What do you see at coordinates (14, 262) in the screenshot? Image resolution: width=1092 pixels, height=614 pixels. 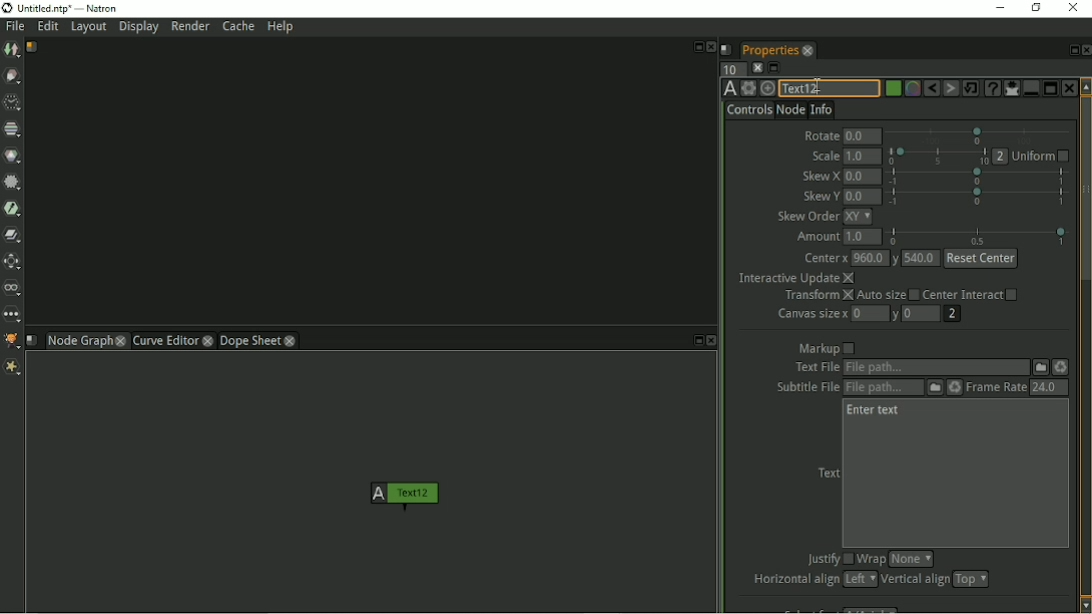 I see `Transform` at bounding box center [14, 262].